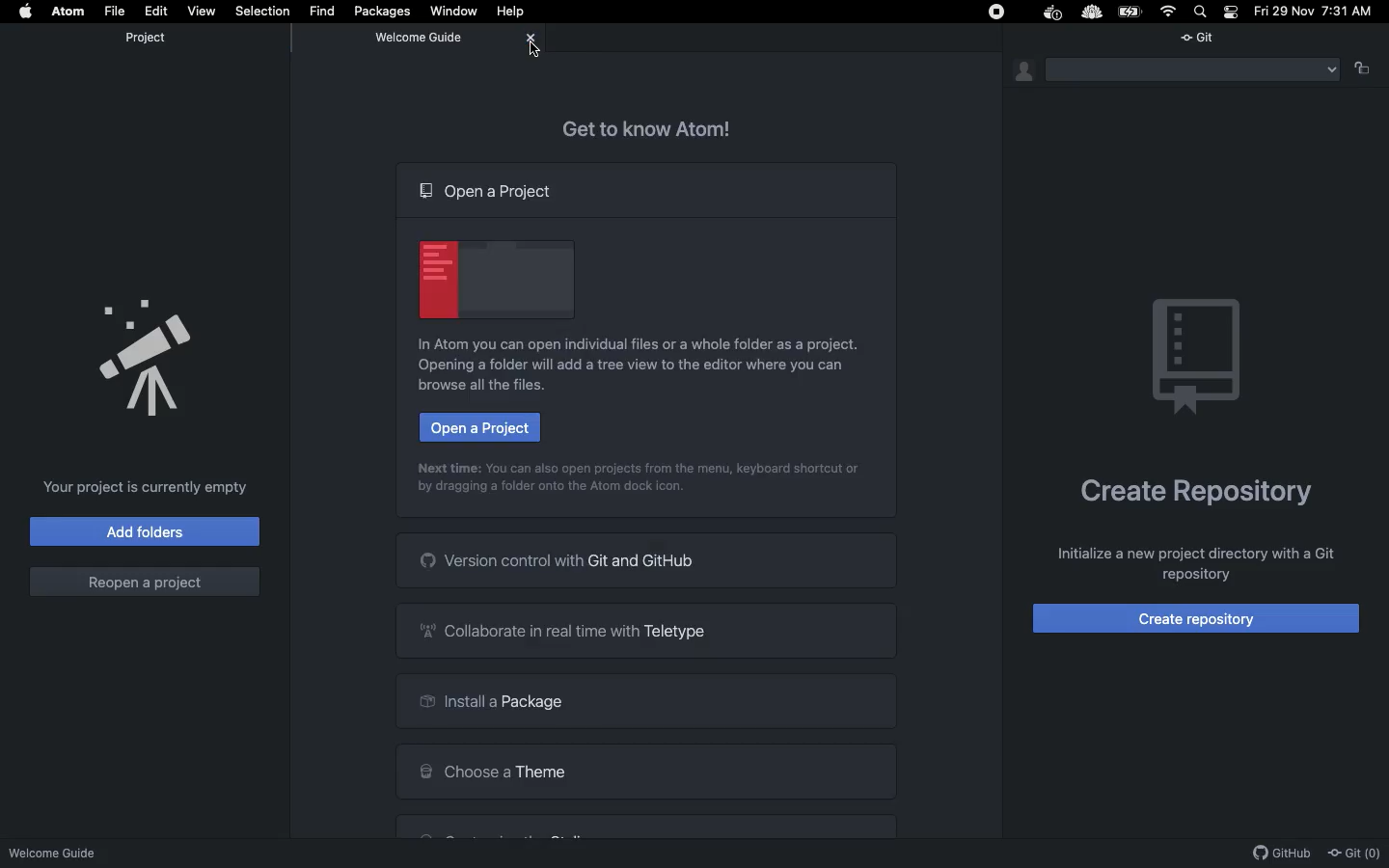  Describe the element at coordinates (650, 558) in the screenshot. I see `Version control with Git and GitHub` at that location.